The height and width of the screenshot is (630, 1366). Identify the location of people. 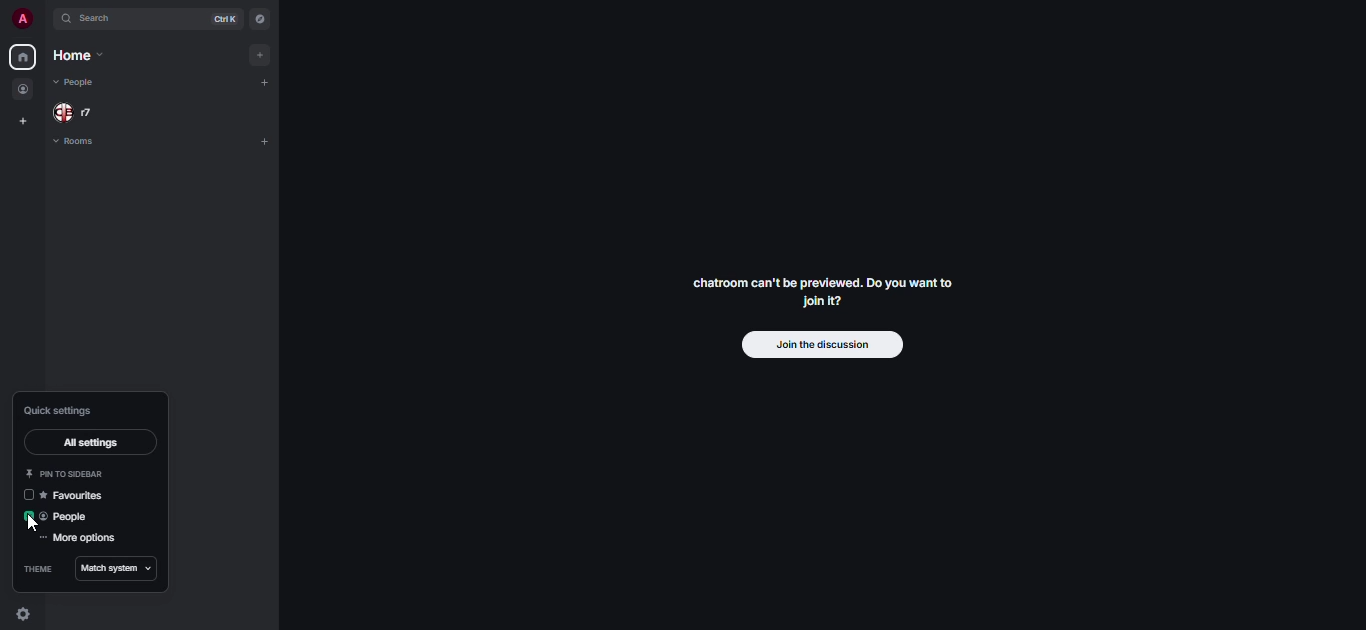
(74, 81).